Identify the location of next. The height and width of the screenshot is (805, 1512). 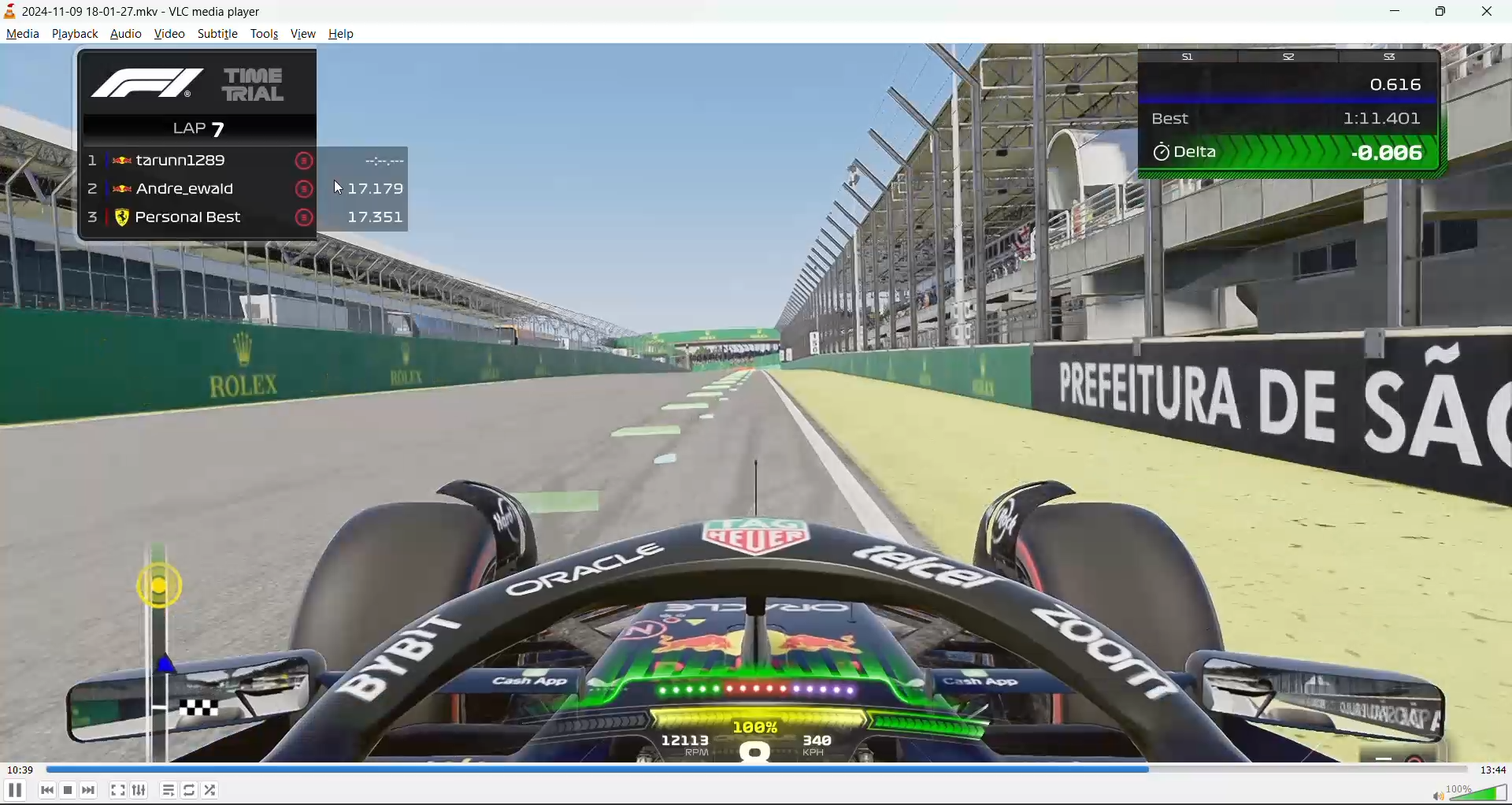
(87, 792).